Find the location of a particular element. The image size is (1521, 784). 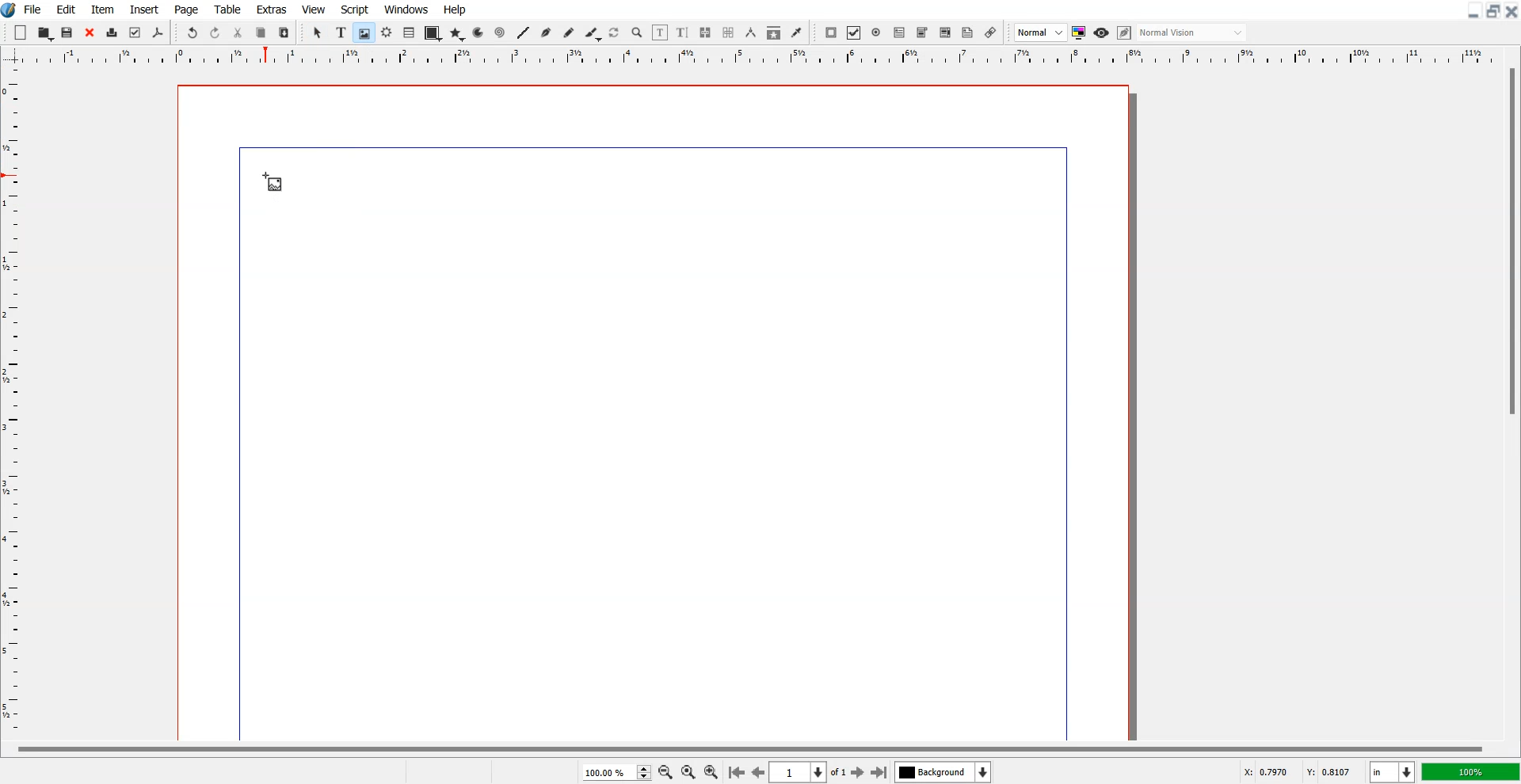

Redo is located at coordinates (215, 32).